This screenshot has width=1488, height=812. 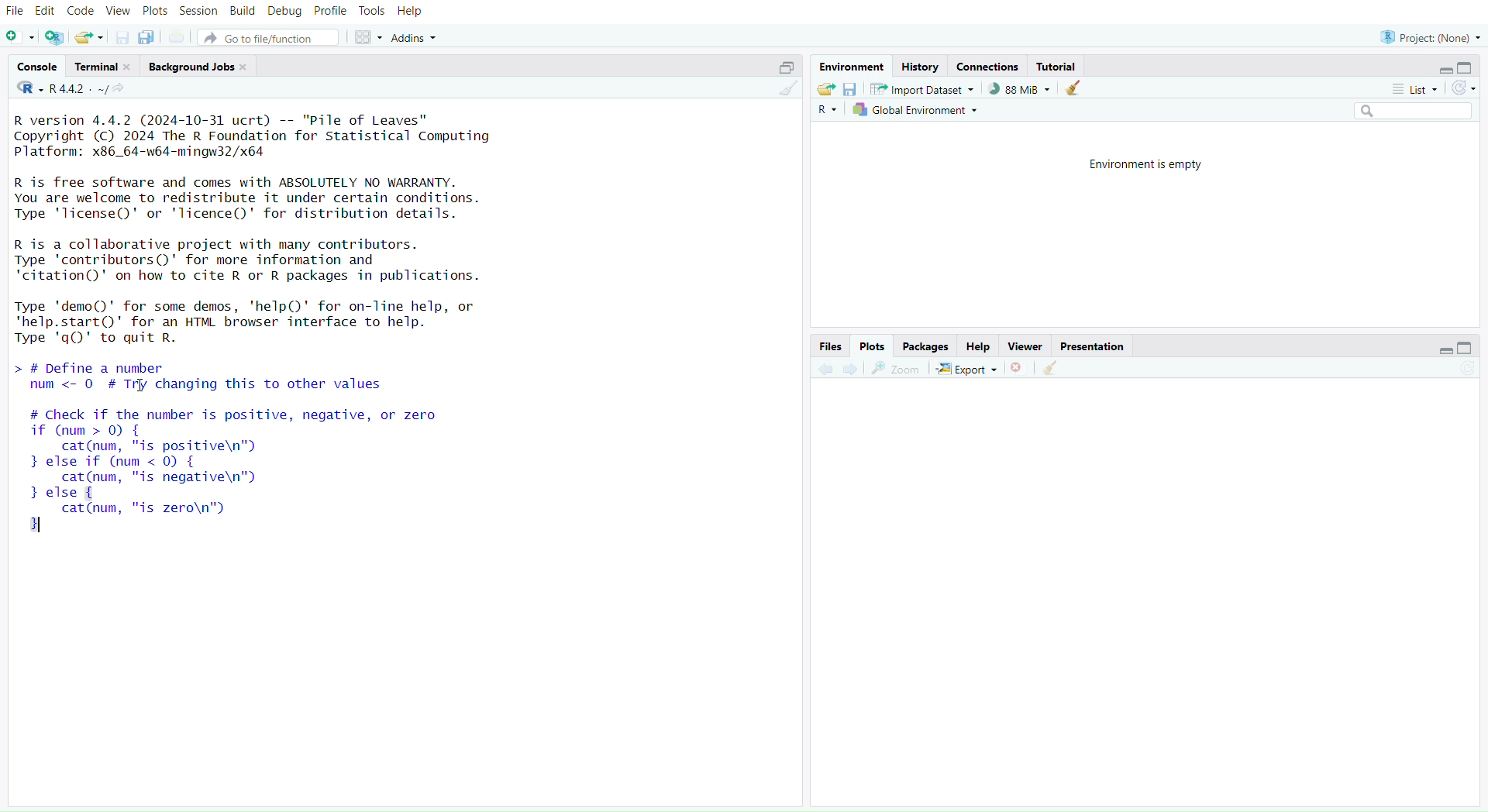 What do you see at coordinates (332, 12) in the screenshot?
I see `profile` at bounding box center [332, 12].